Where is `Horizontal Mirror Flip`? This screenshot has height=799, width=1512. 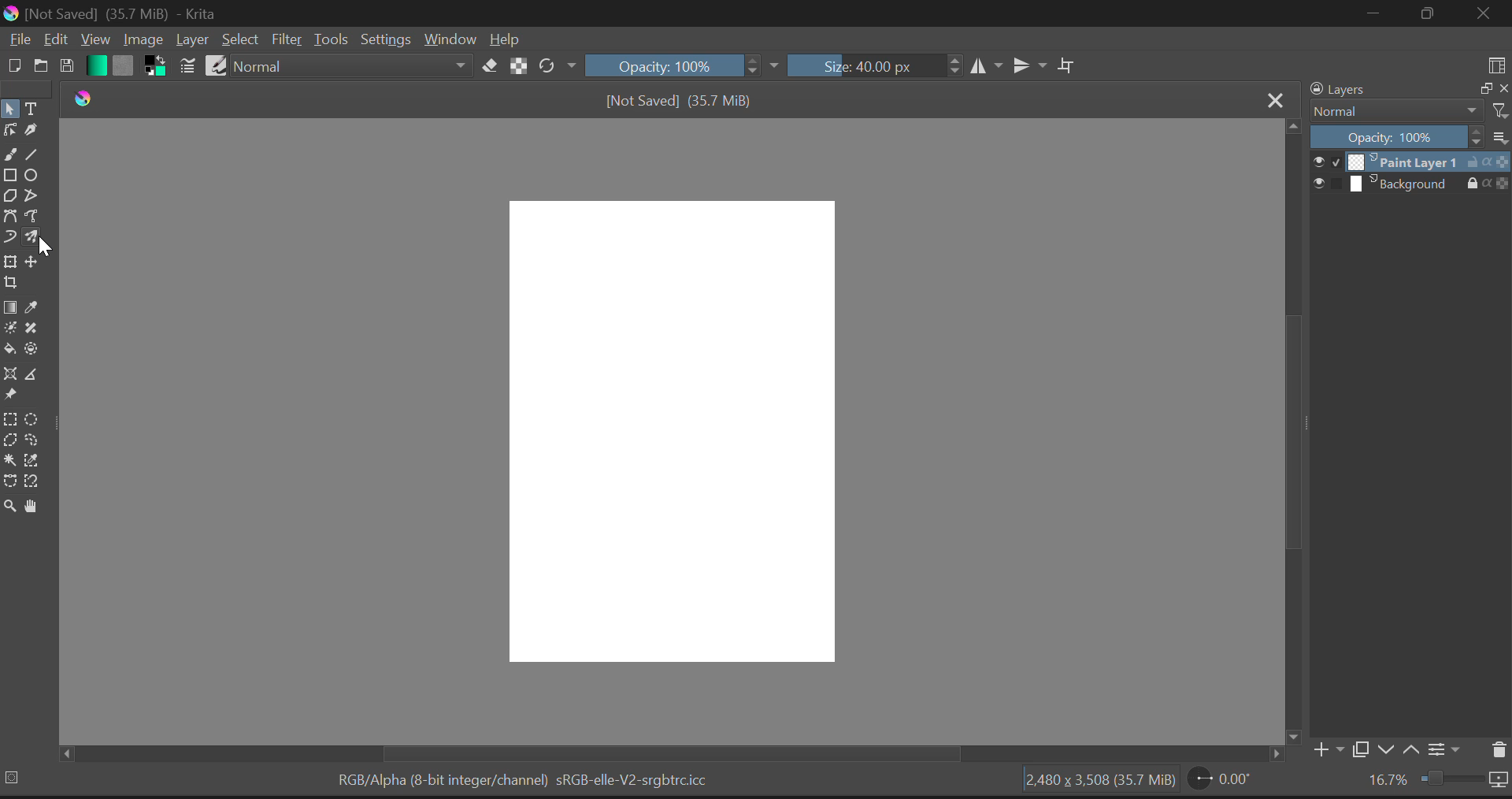
Horizontal Mirror Flip is located at coordinates (1031, 65).